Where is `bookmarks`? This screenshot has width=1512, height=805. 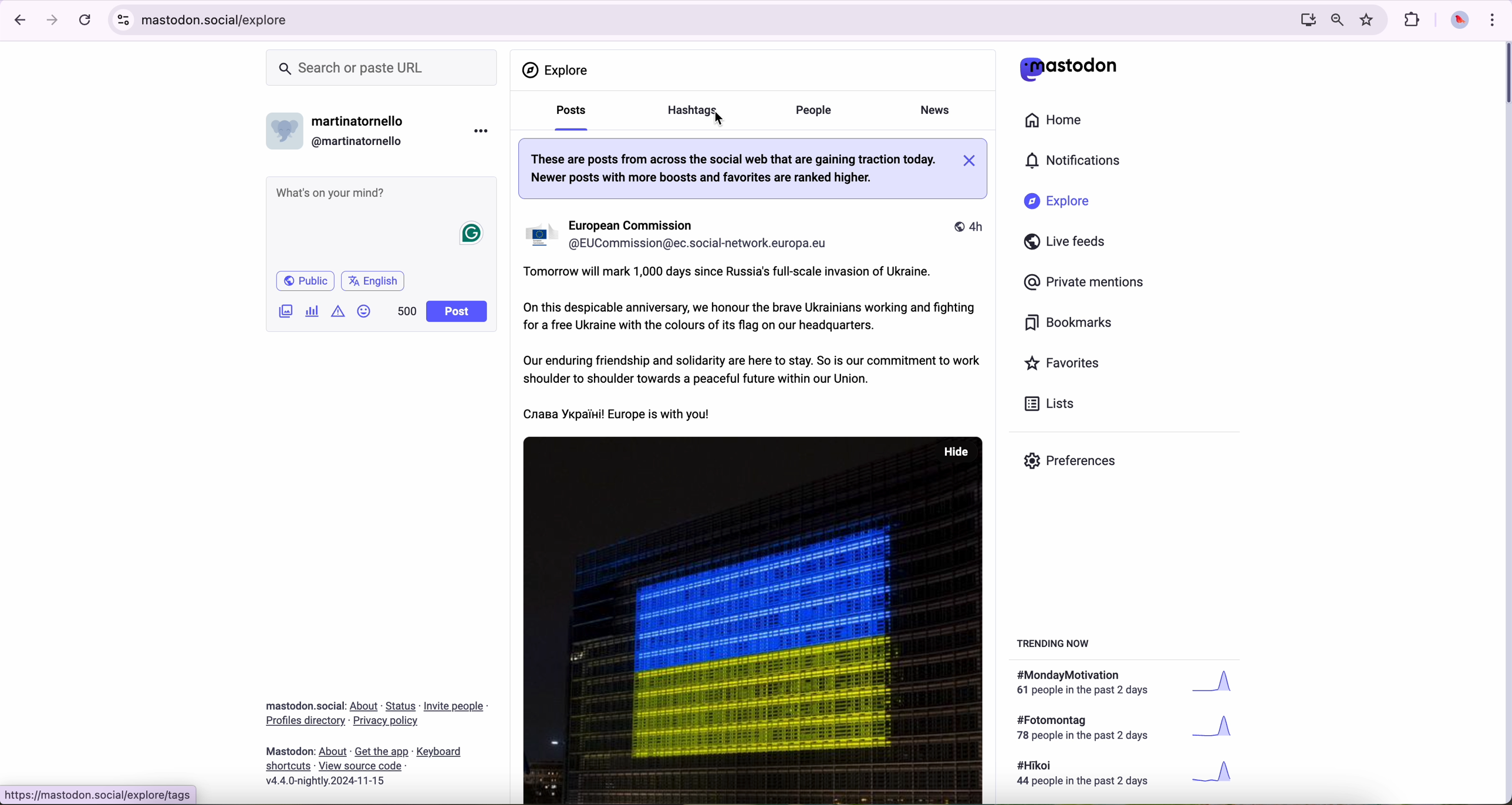
bookmarks is located at coordinates (1069, 323).